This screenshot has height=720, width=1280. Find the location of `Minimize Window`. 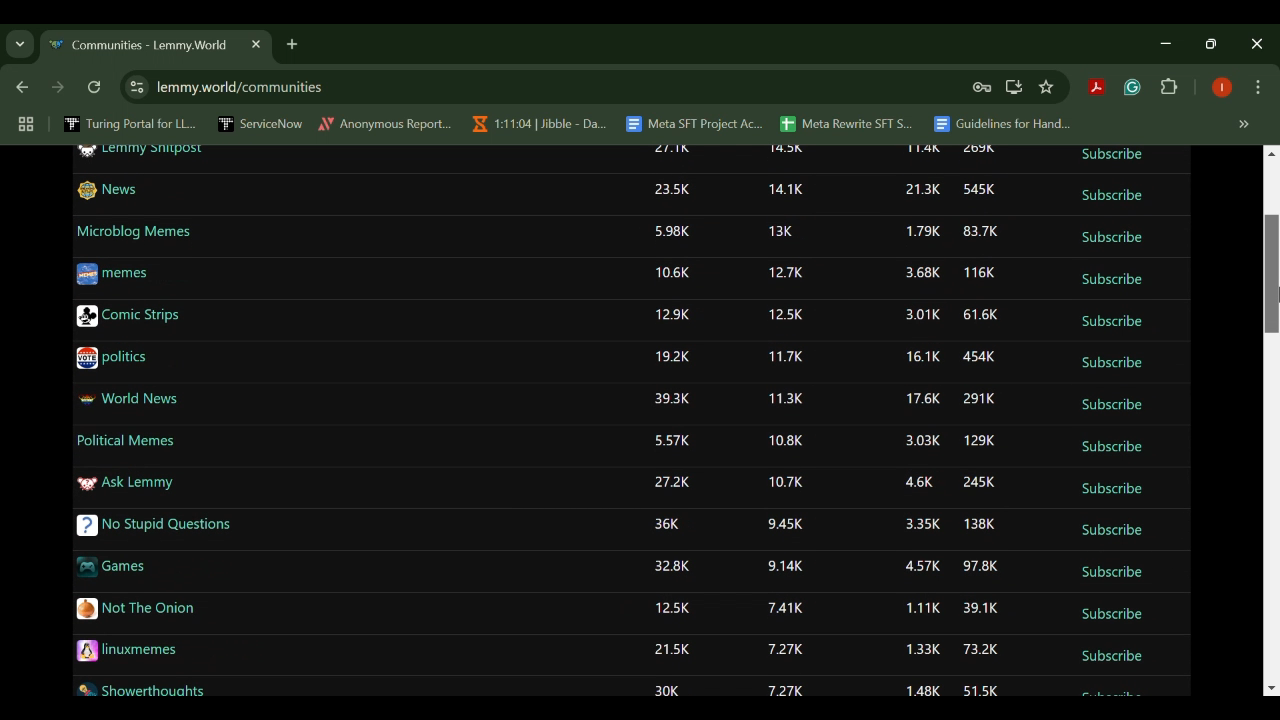

Minimize Window is located at coordinates (1214, 43).